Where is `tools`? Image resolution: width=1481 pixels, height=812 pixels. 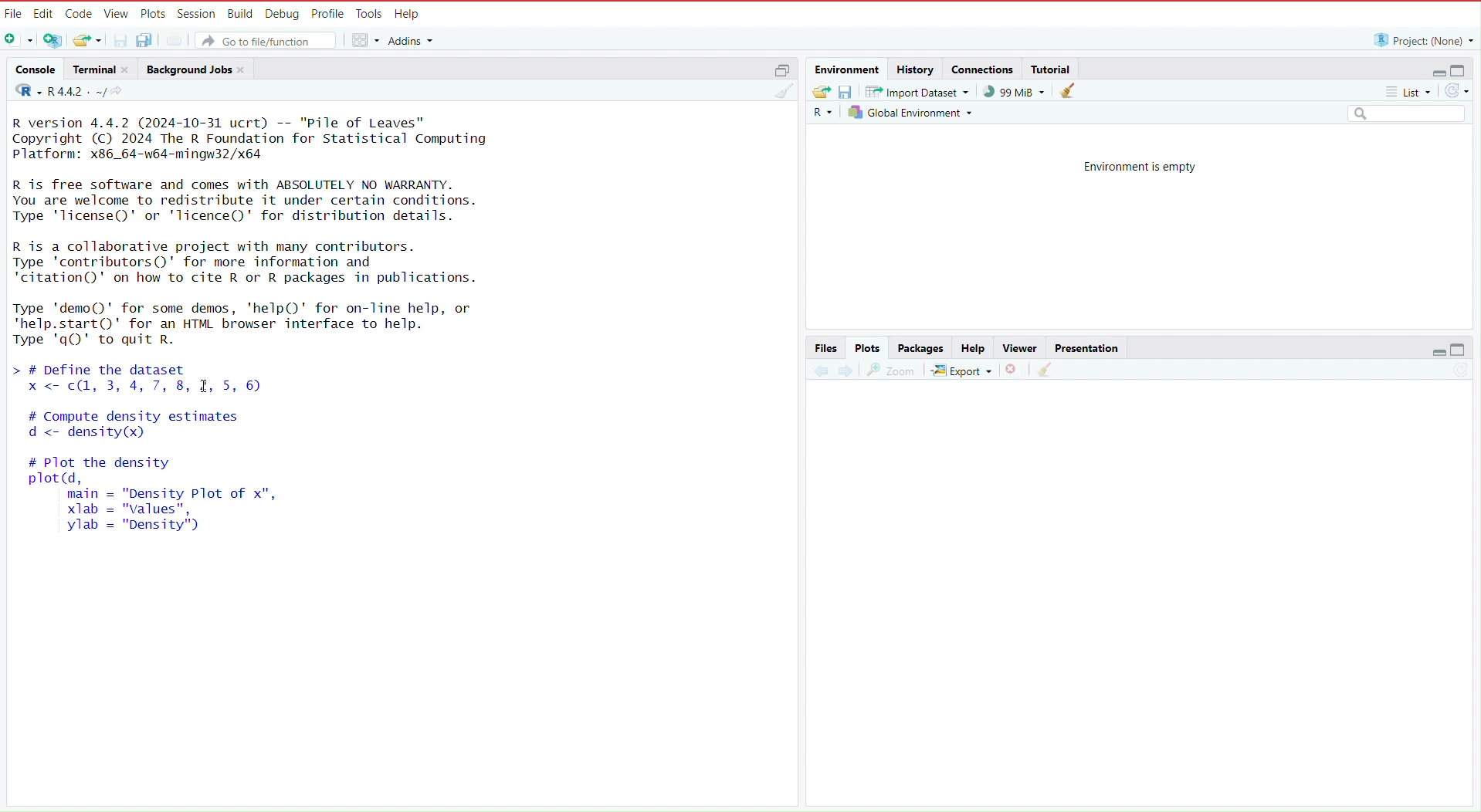 tools is located at coordinates (371, 12).